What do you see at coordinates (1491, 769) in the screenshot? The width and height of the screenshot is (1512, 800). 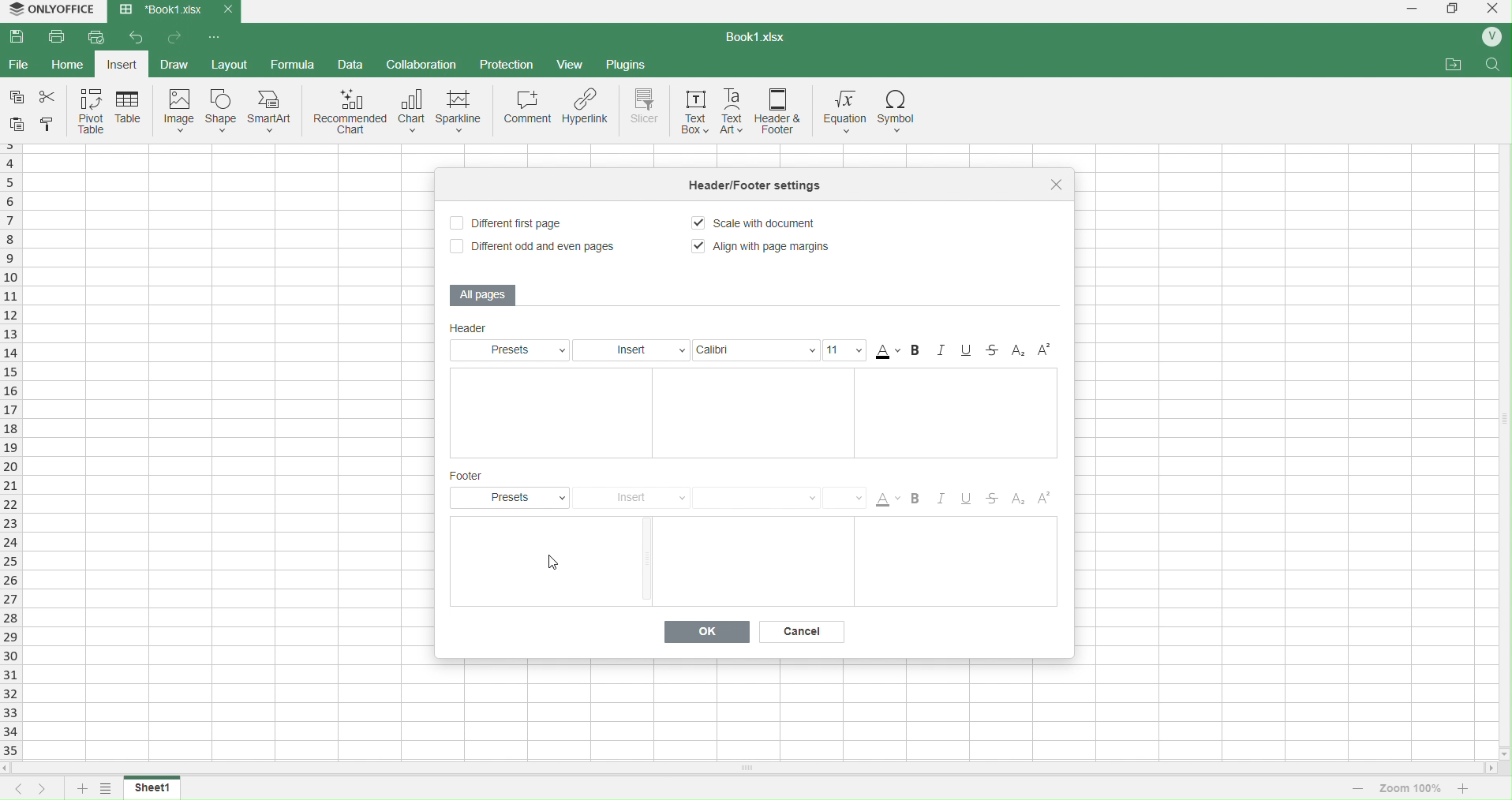 I see `move right` at bounding box center [1491, 769].